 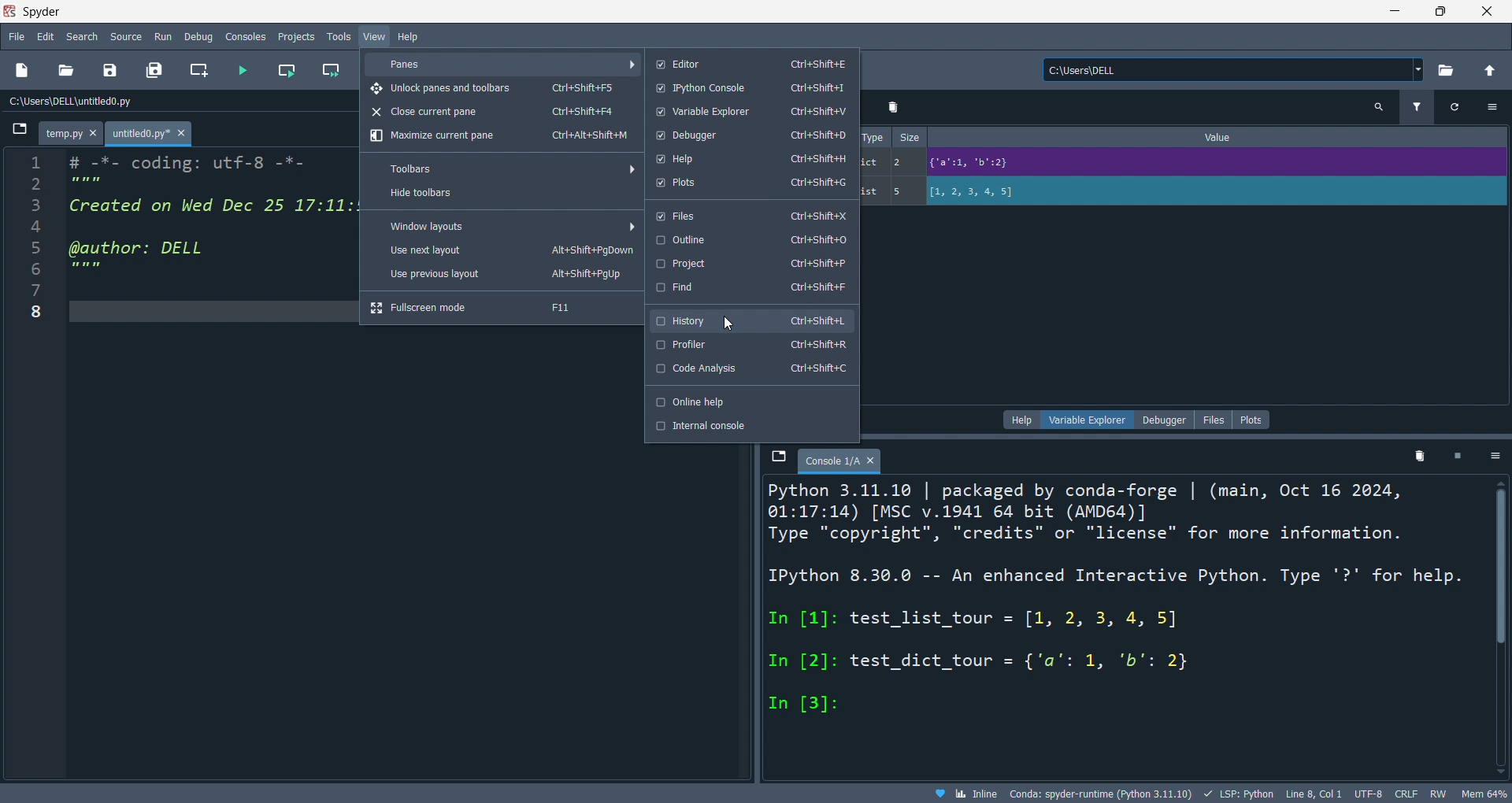 I want to click on run file, so click(x=243, y=71).